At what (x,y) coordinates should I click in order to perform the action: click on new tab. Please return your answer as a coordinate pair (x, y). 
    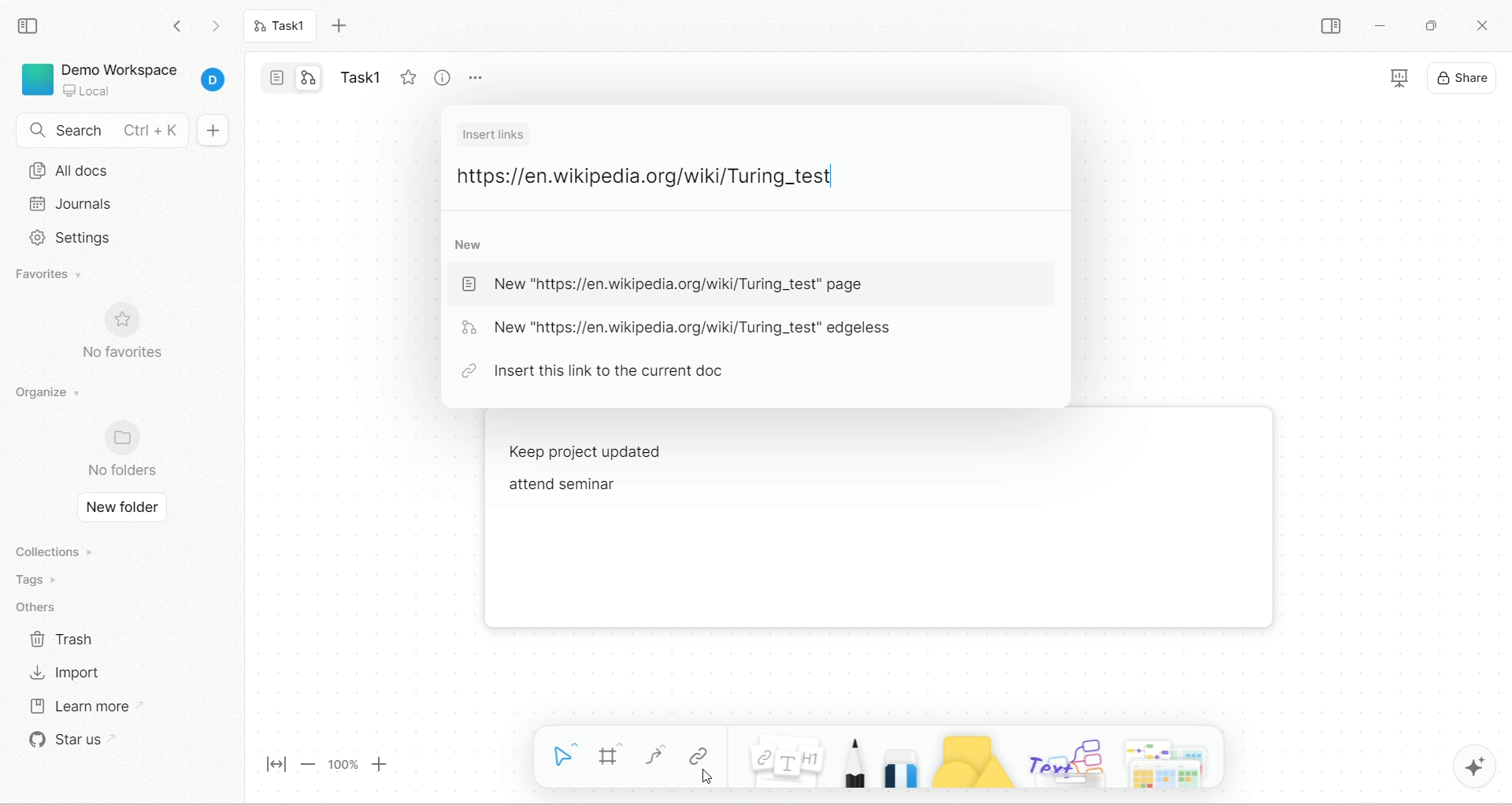
    Looking at the image, I should click on (343, 26).